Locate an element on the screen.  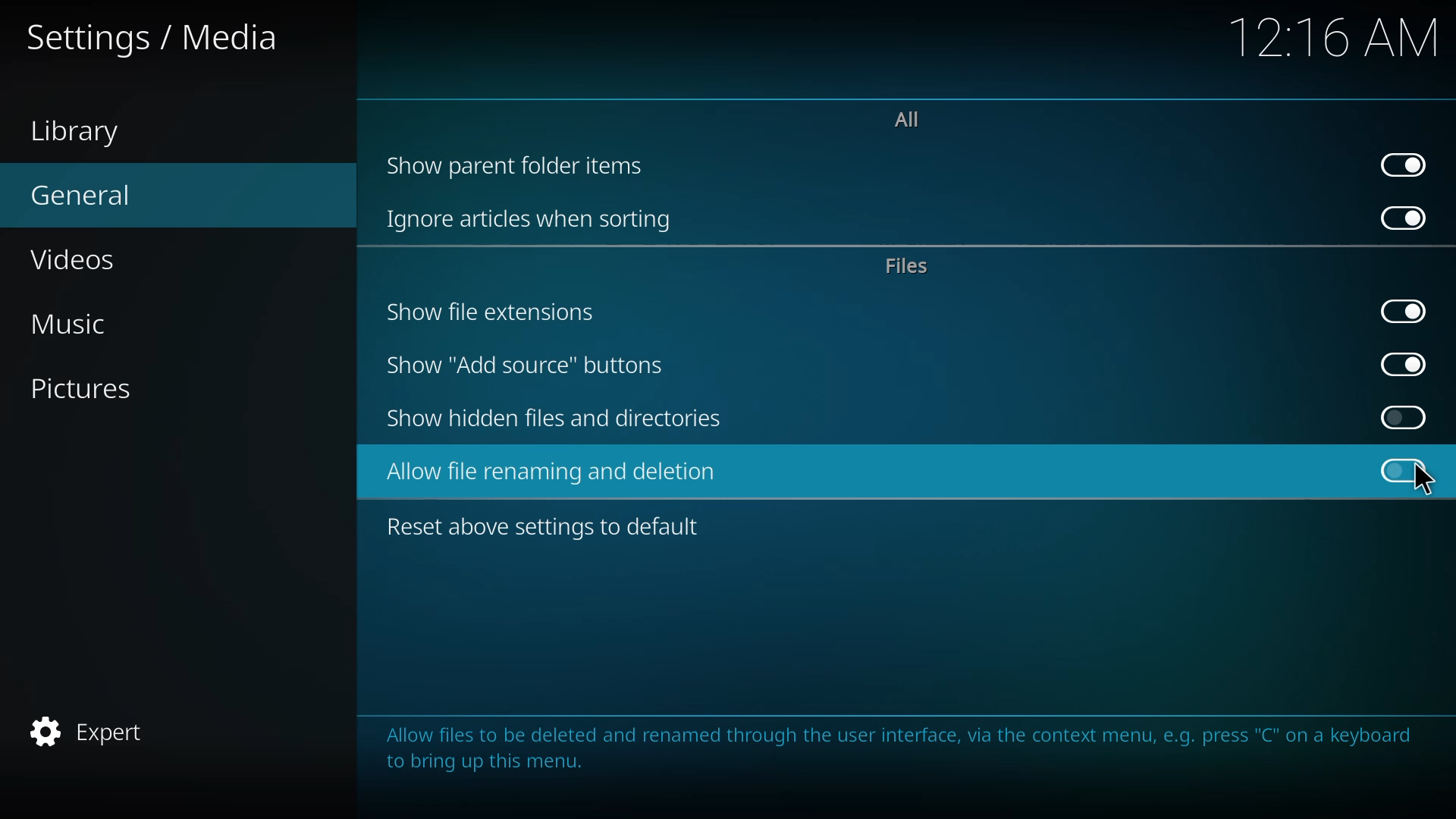
show file extensions is located at coordinates (492, 312).